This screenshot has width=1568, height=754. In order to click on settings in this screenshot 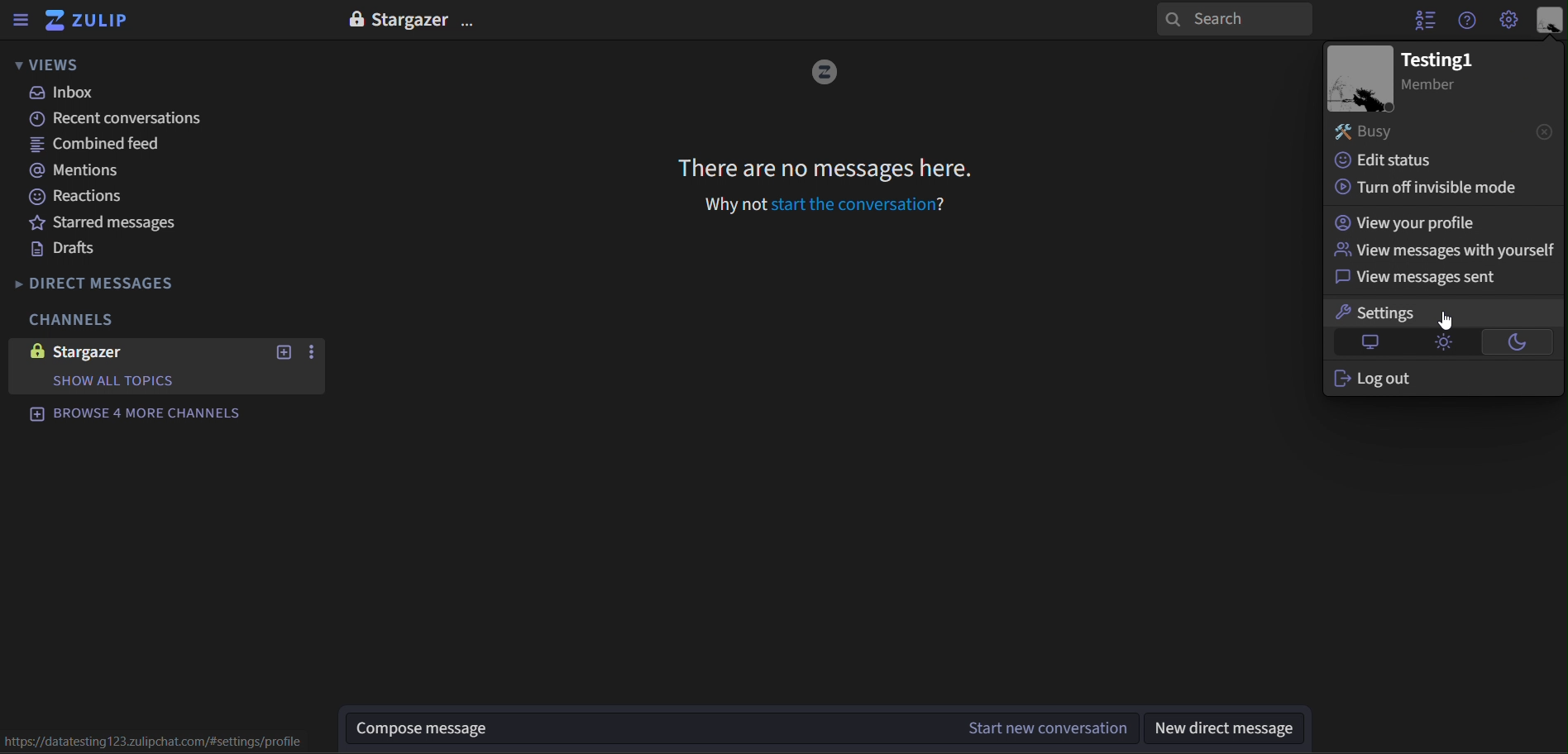, I will do `click(1432, 312)`.